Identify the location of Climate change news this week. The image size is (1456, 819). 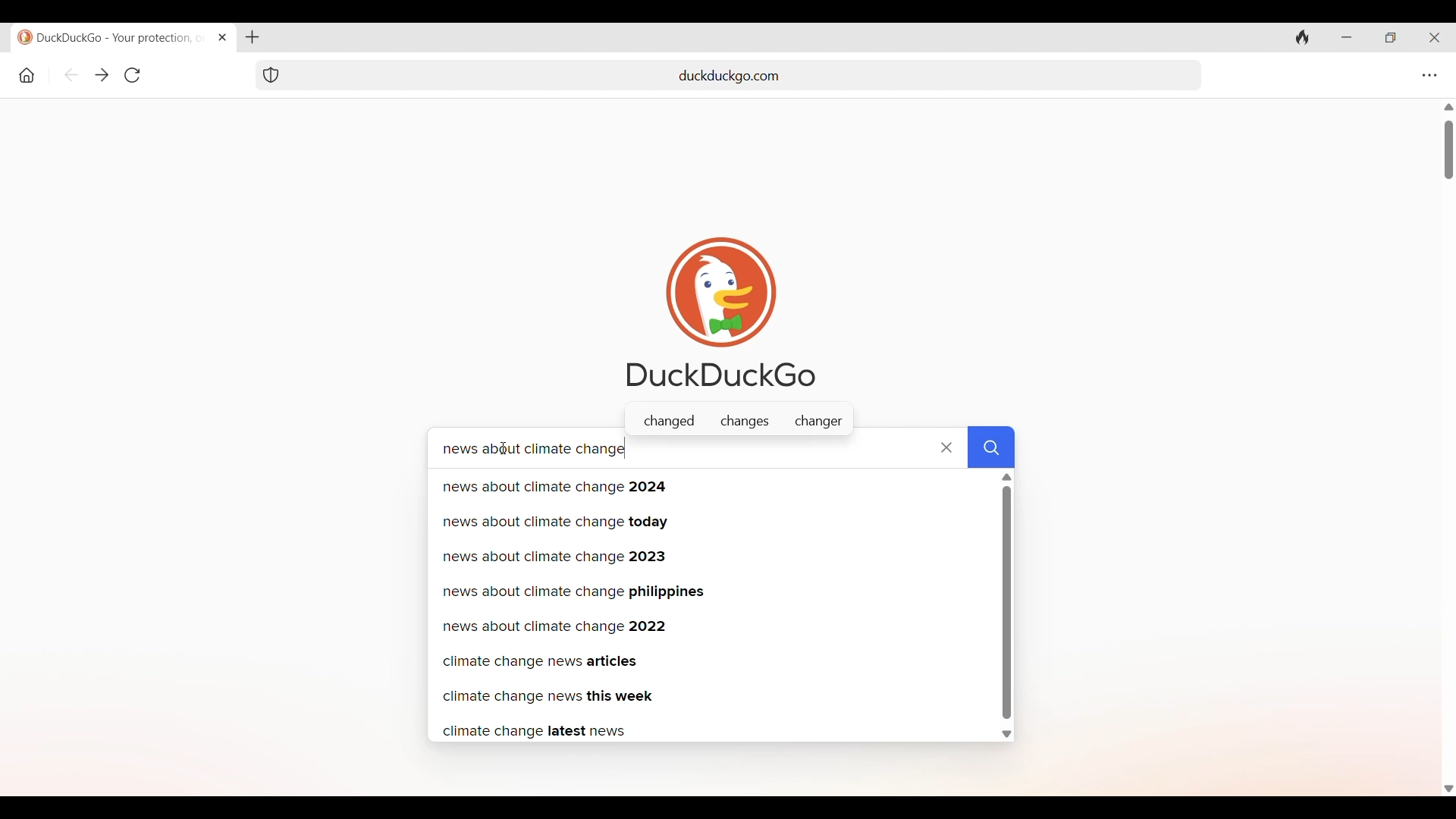
(710, 697).